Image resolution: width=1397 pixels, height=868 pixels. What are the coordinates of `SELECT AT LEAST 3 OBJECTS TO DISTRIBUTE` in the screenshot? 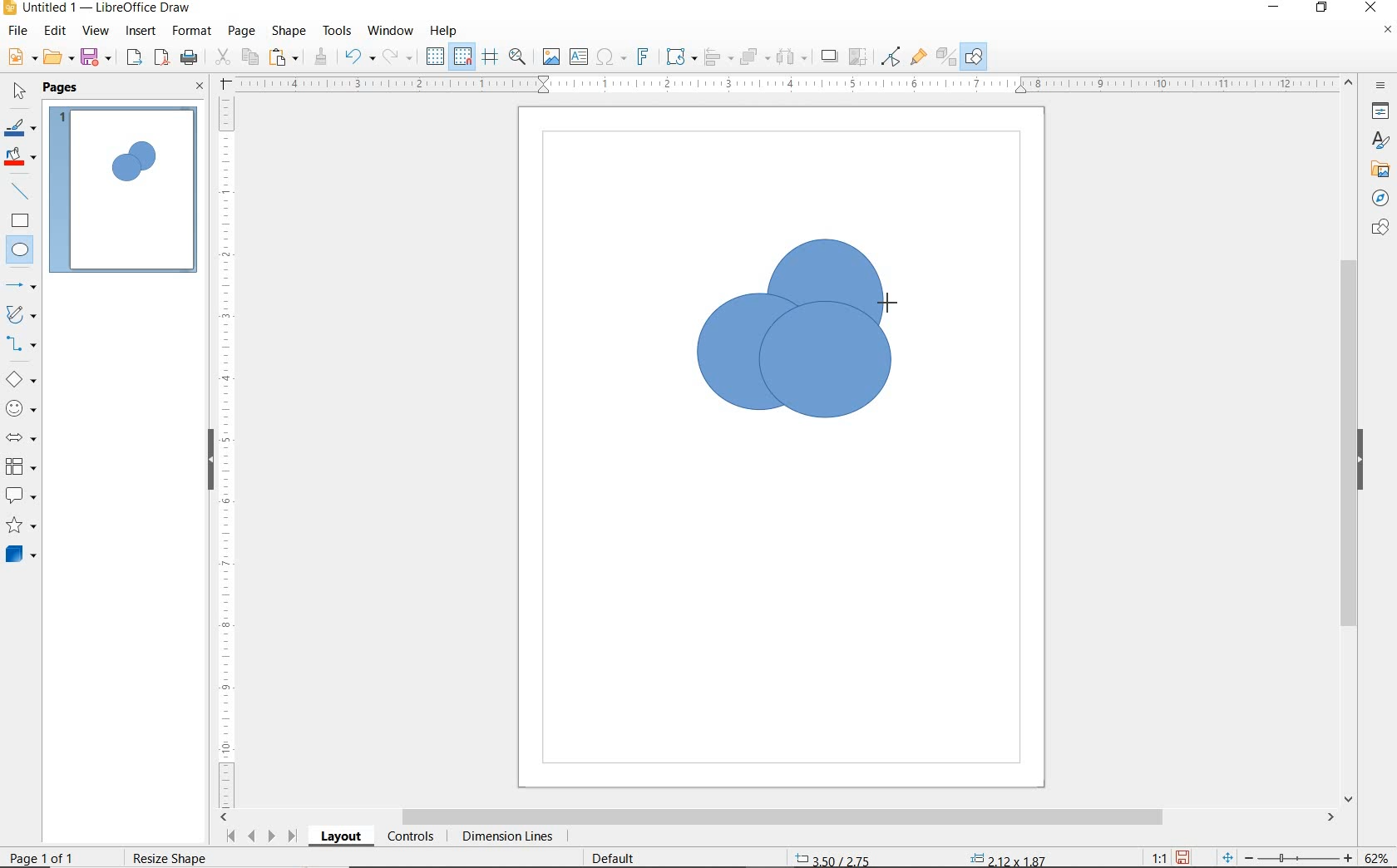 It's located at (792, 56).